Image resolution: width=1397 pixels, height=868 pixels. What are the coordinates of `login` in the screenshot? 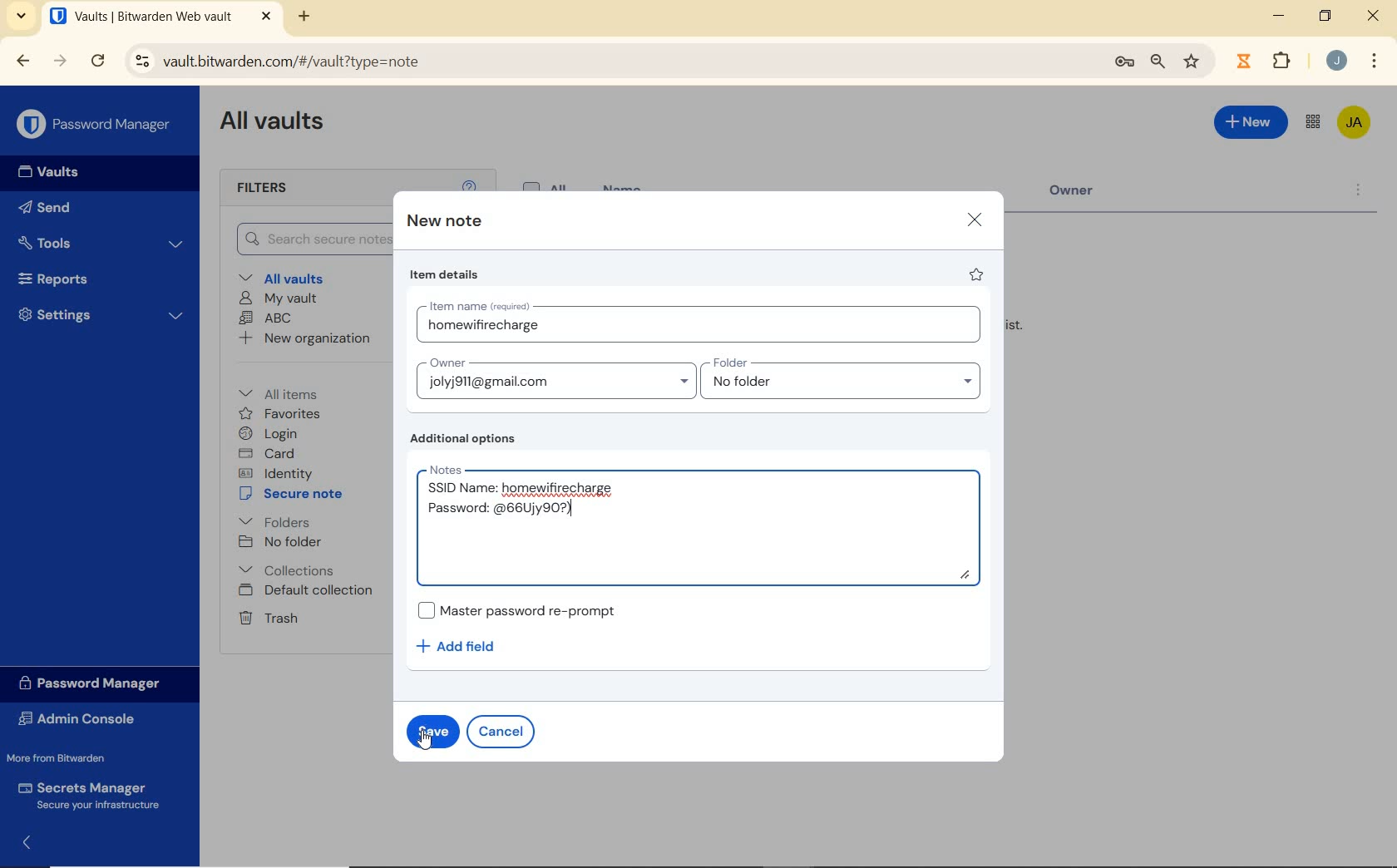 It's located at (271, 433).